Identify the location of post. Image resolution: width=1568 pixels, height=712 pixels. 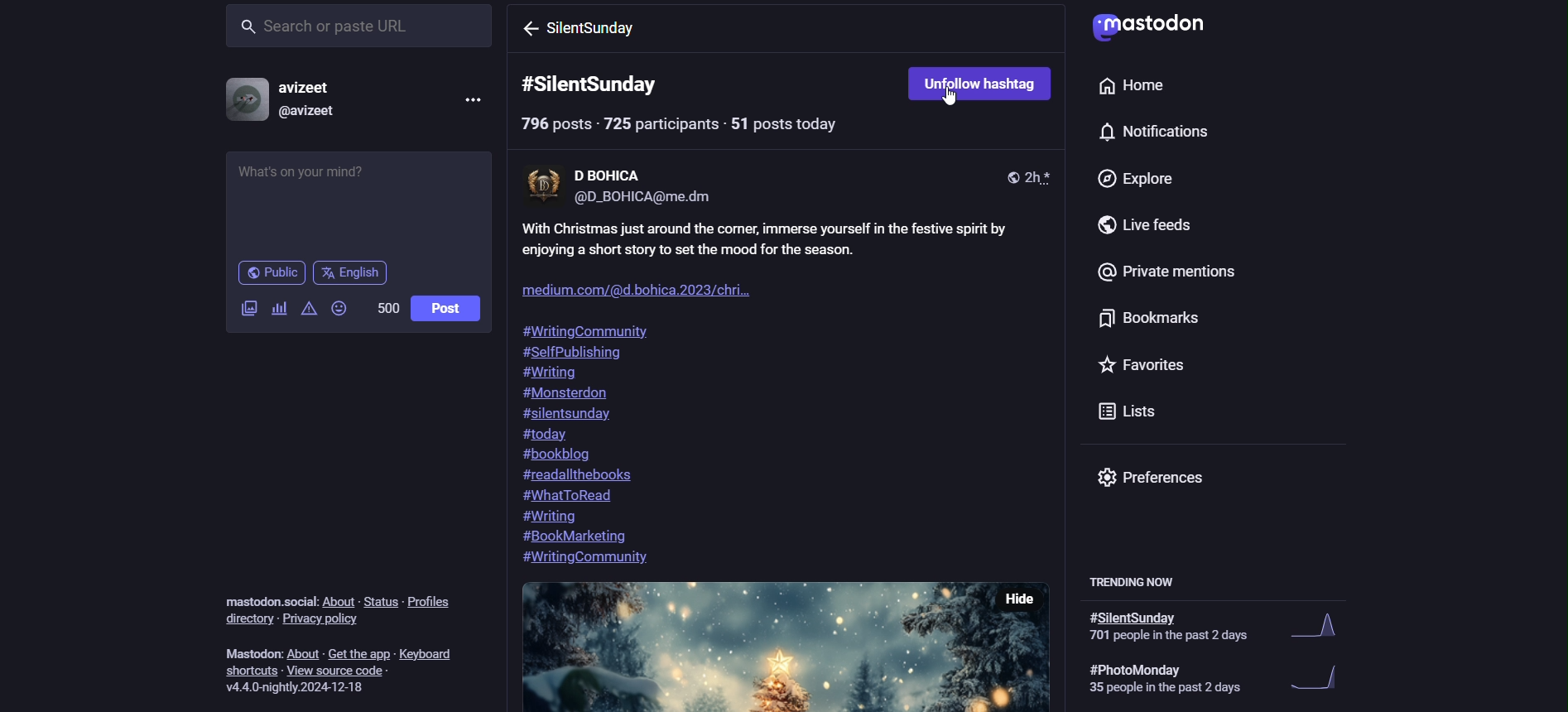
(448, 307).